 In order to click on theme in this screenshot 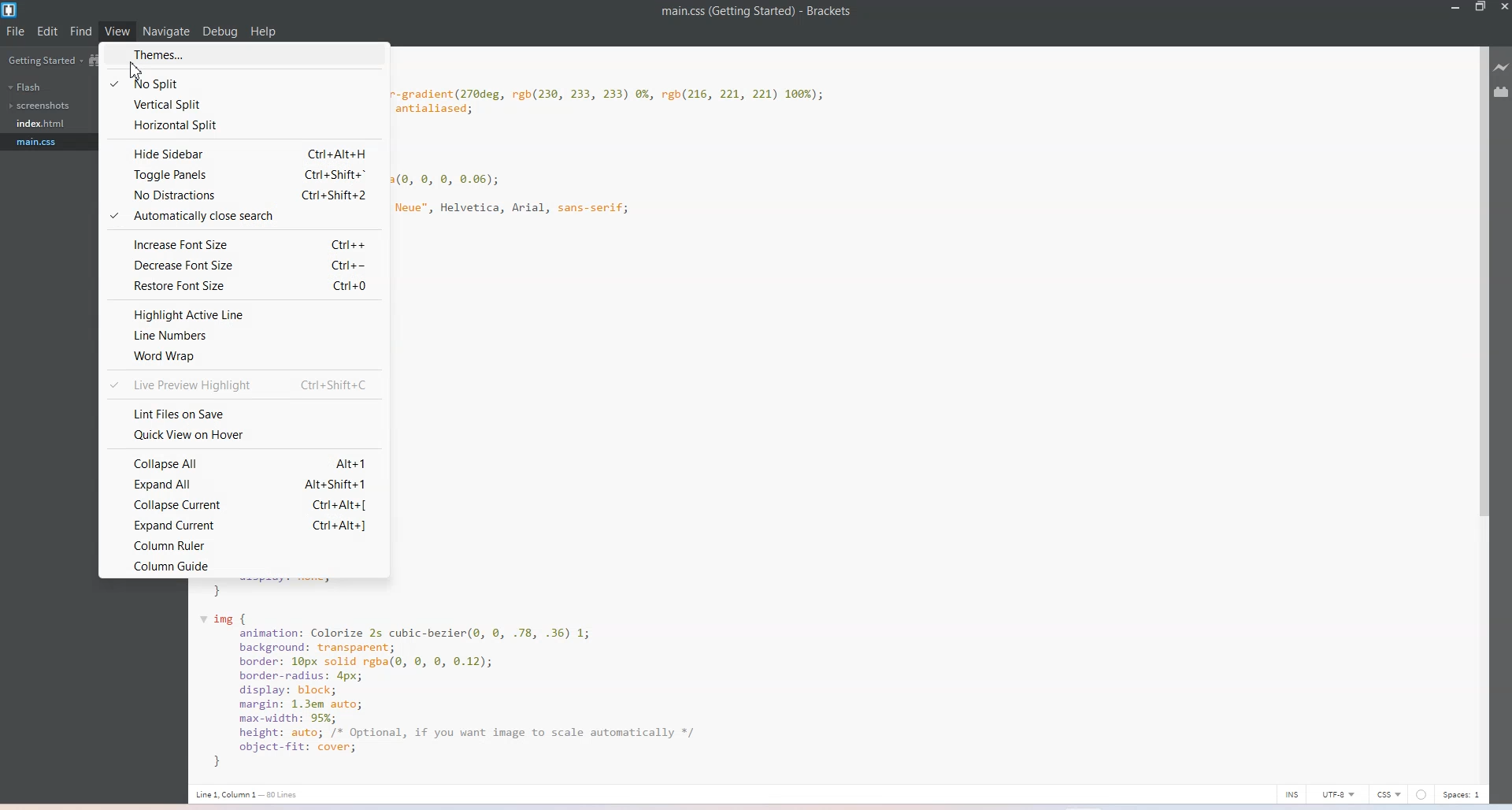, I will do `click(228, 54)`.